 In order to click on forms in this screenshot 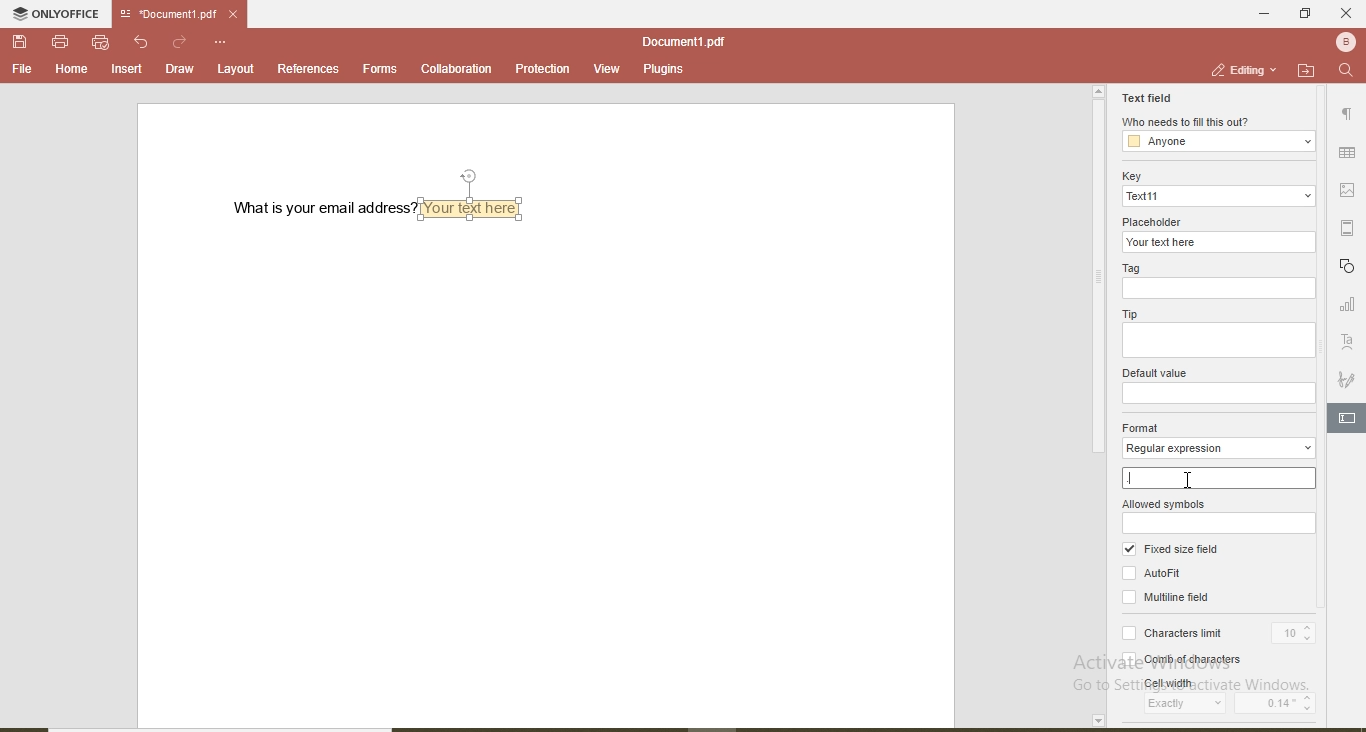, I will do `click(380, 68)`.